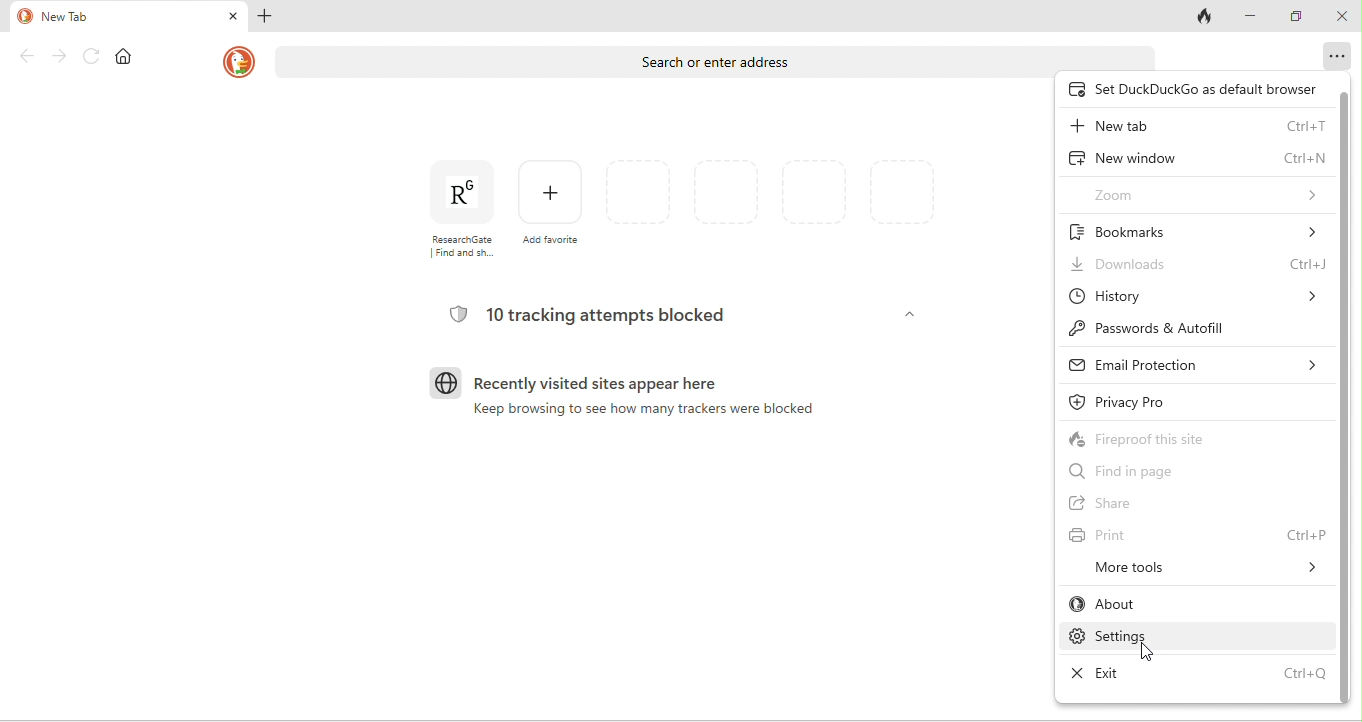 This screenshot has width=1362, height=722. I want to click on recently visited sites appear here, so click(635, 383).